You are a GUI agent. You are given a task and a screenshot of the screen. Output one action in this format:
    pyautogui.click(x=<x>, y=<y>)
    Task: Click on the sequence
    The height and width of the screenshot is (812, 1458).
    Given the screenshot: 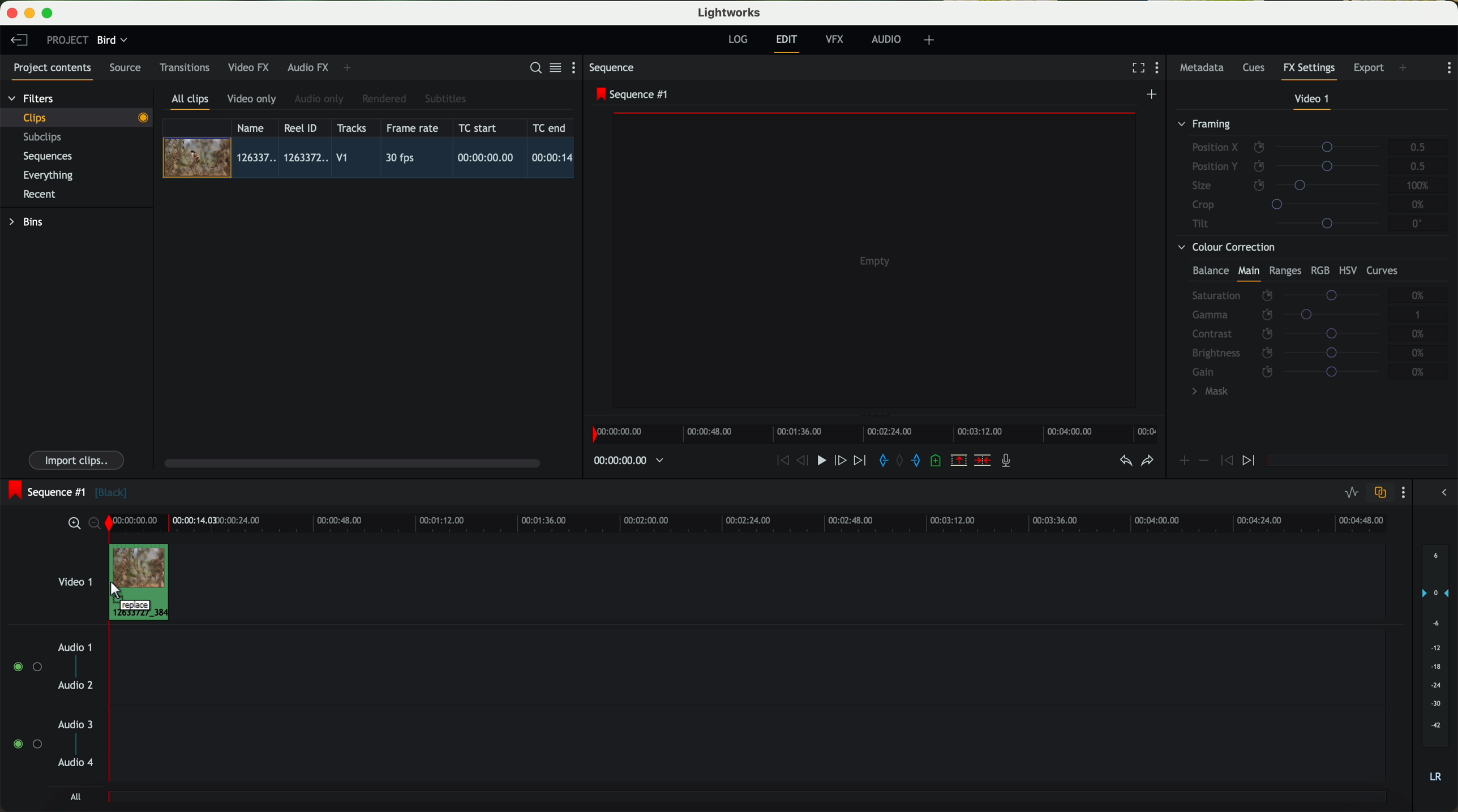 What is the action you would take?
    pyautogui.click(x=612, y=68)
    